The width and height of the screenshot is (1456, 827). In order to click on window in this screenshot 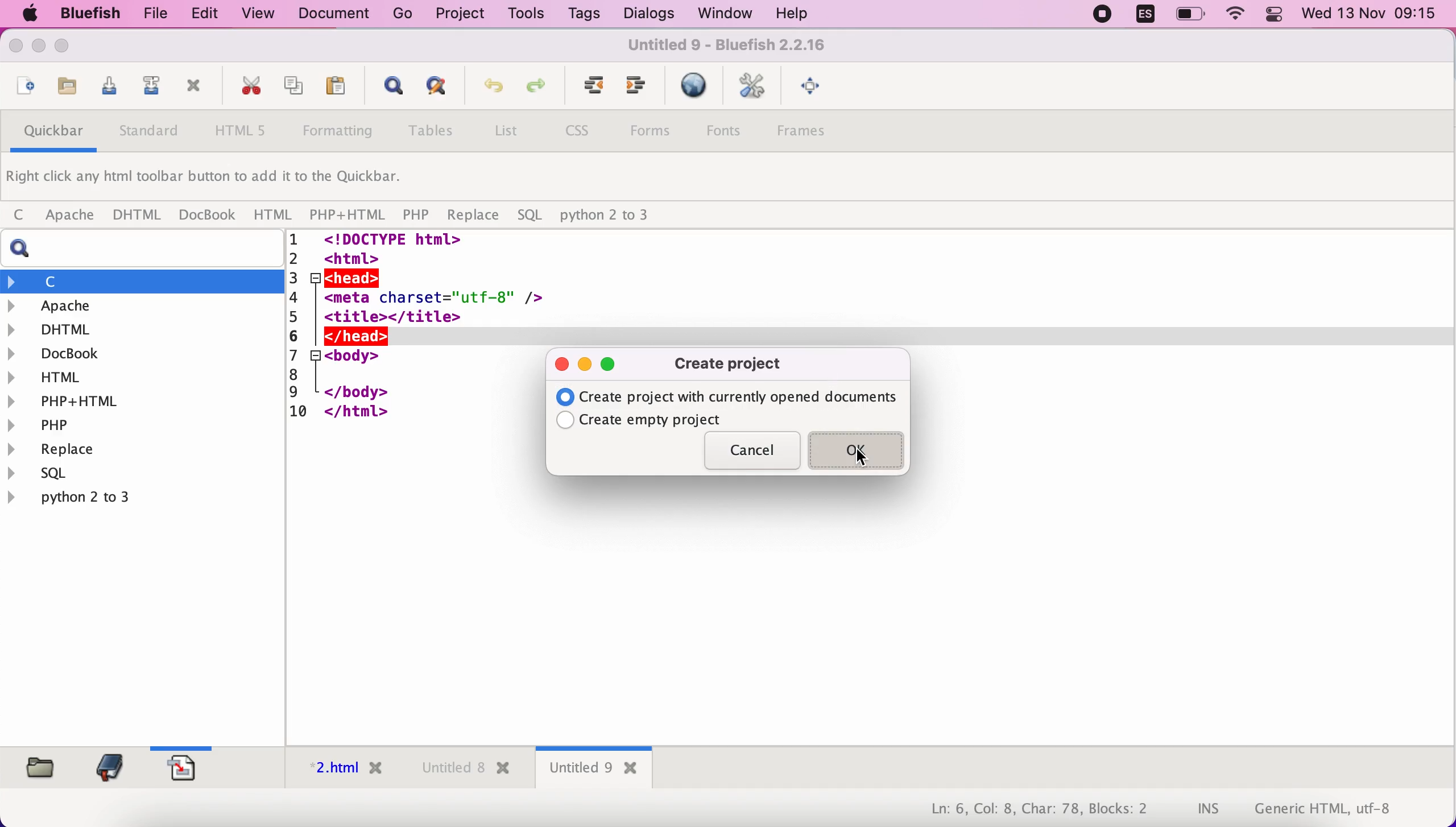, I will do `click(721, 14)`.